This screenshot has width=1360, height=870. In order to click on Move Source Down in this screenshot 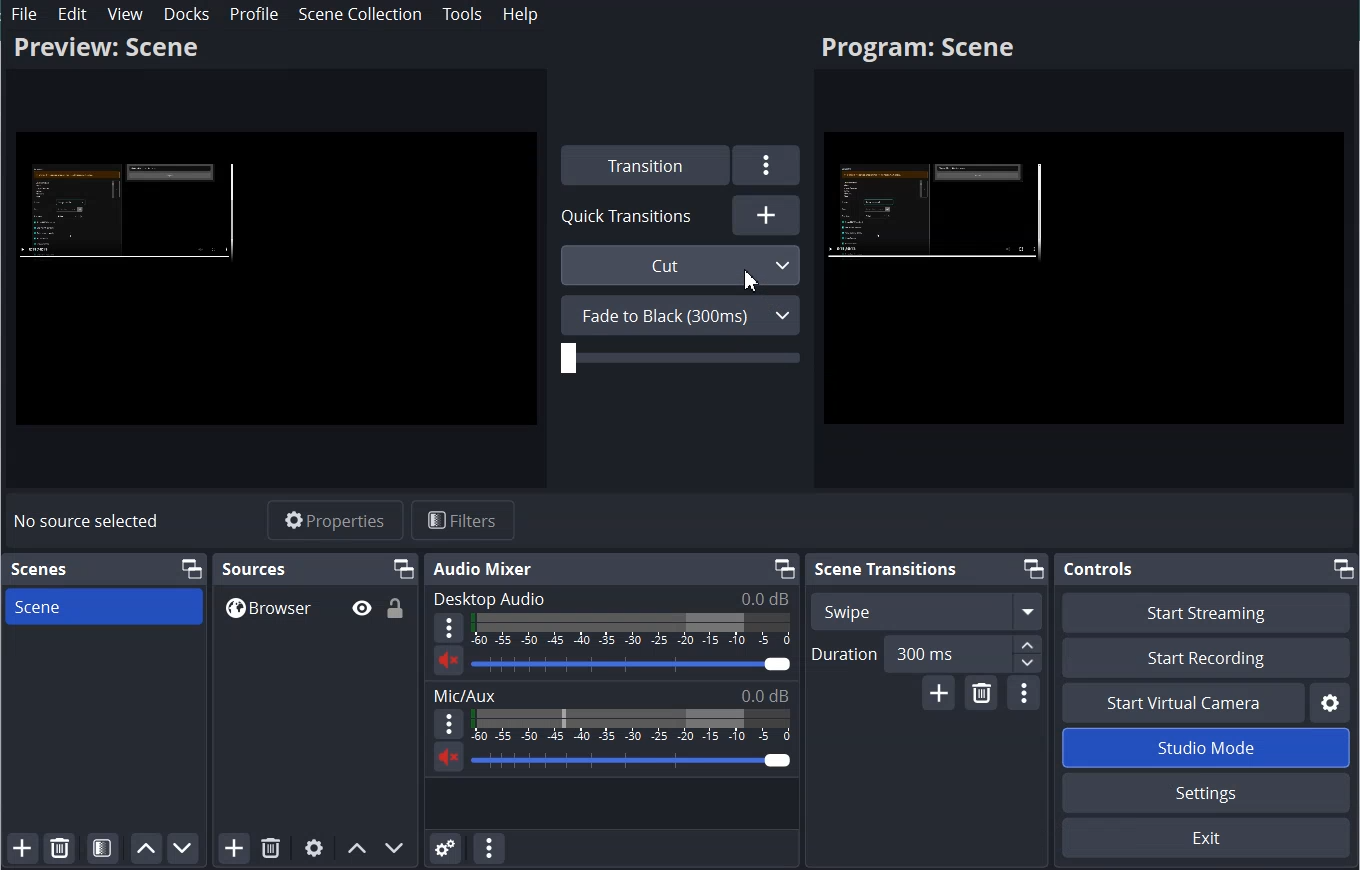, I will do `click(395, 848)`.